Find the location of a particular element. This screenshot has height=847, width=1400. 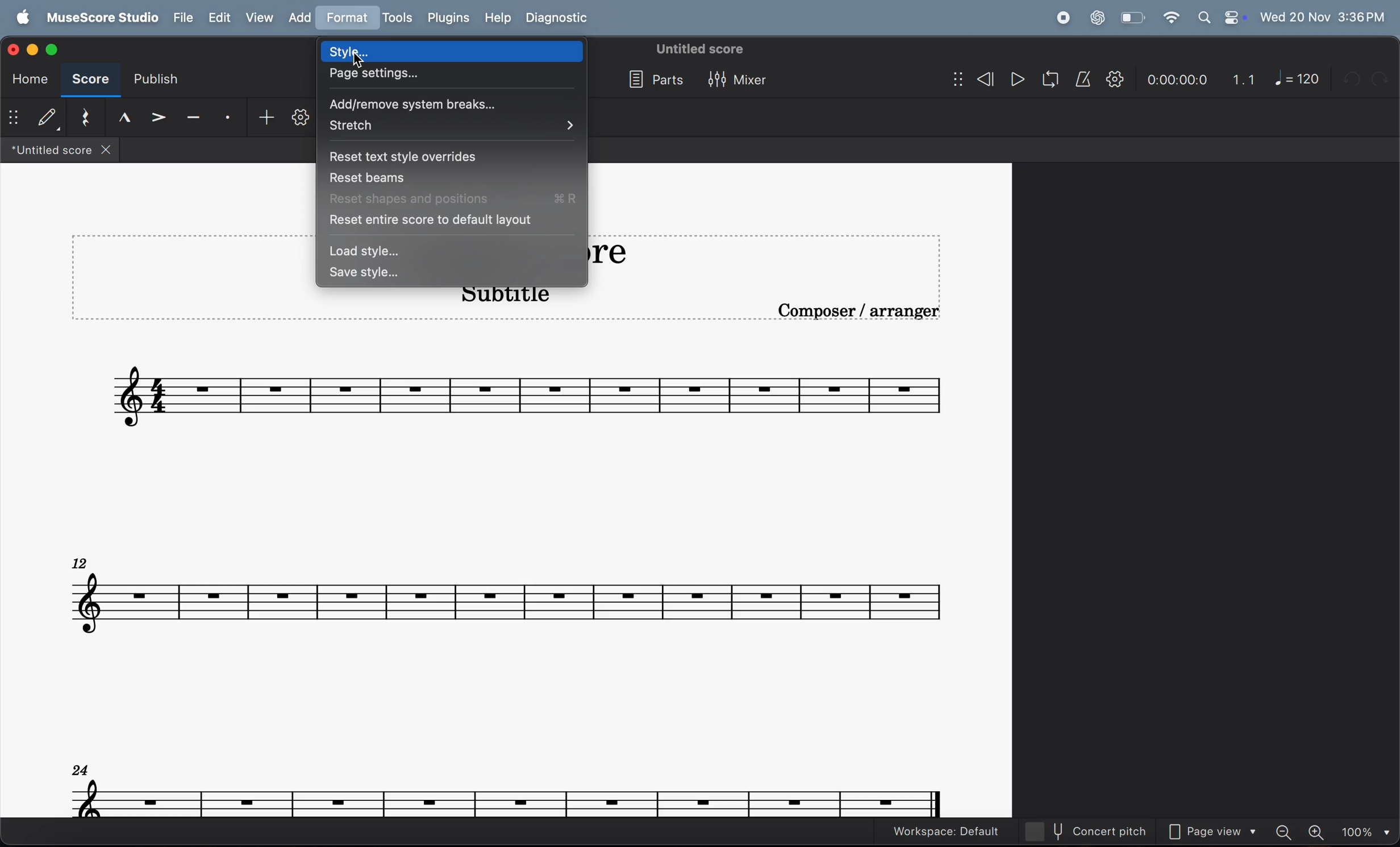

reset text style overrides is located at coordinates (456, 157).